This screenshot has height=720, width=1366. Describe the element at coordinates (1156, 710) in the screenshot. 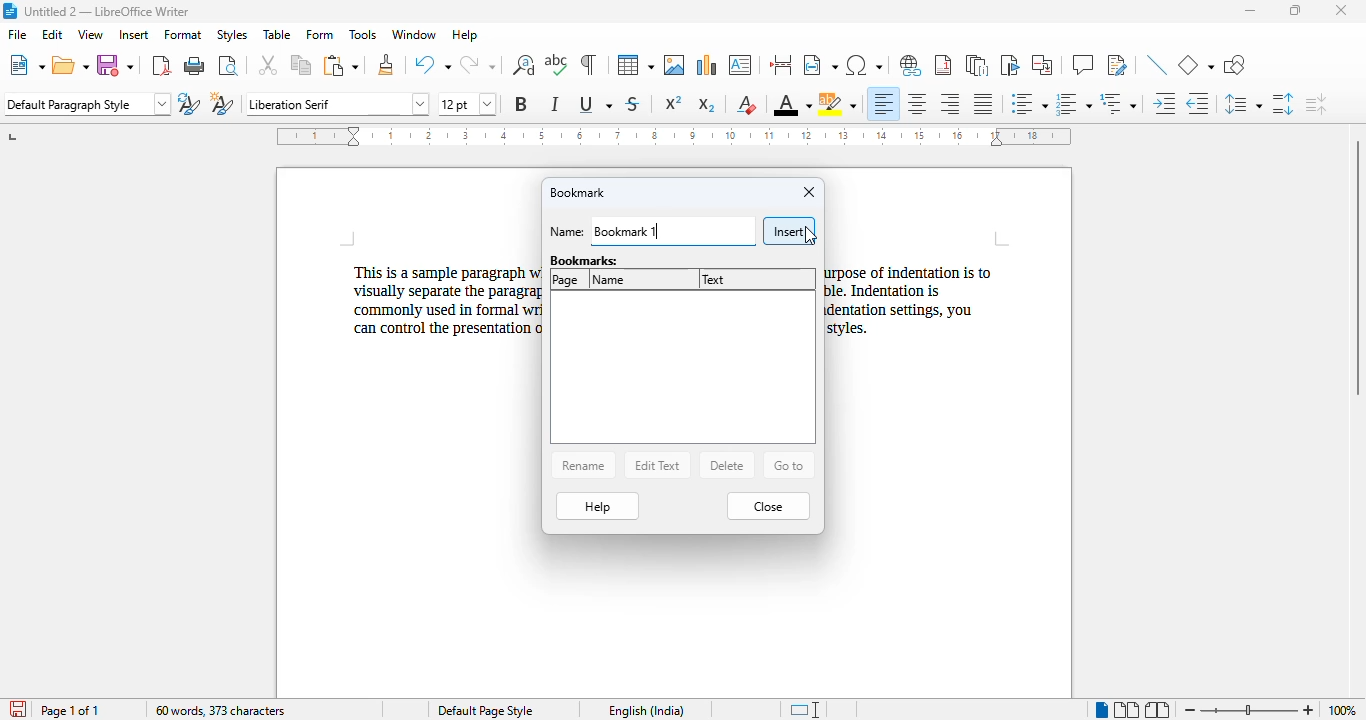

I see `book view` at that location.